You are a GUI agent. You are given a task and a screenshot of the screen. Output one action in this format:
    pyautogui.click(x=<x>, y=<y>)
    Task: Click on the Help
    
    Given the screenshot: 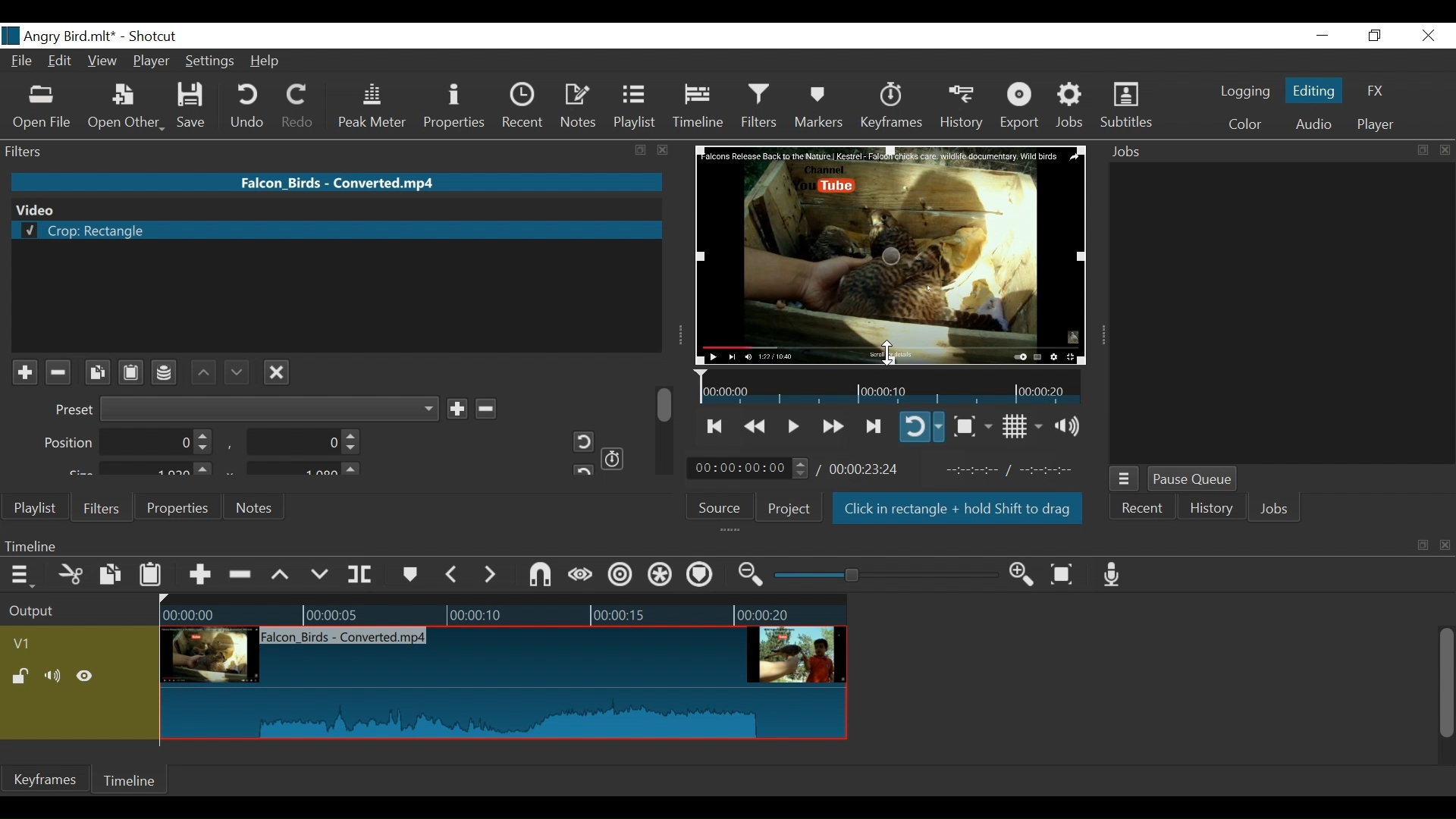 What is the action you would take?
    pyautogui.click(x=270, y=61)
    